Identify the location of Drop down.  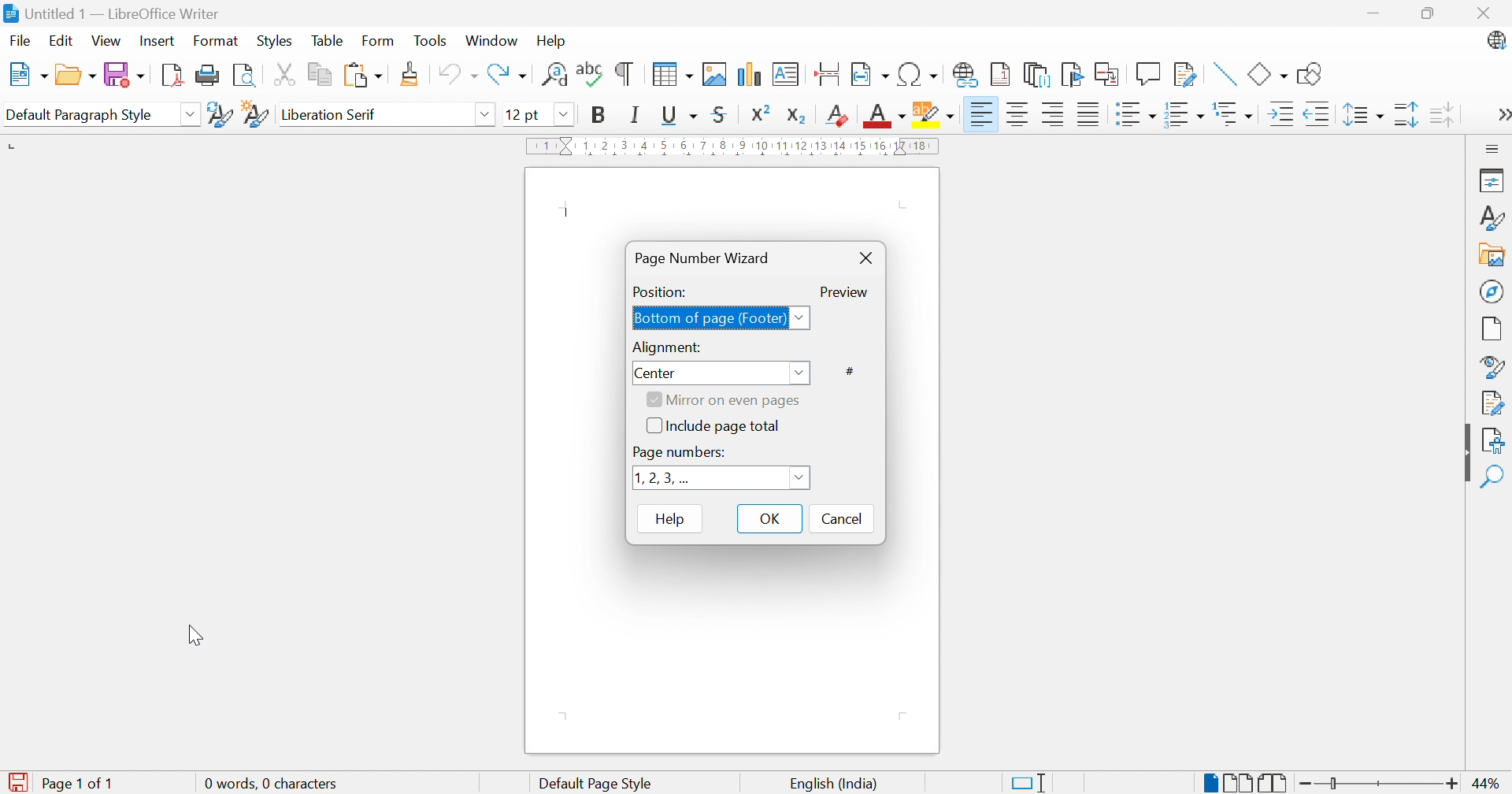
(799, 370).